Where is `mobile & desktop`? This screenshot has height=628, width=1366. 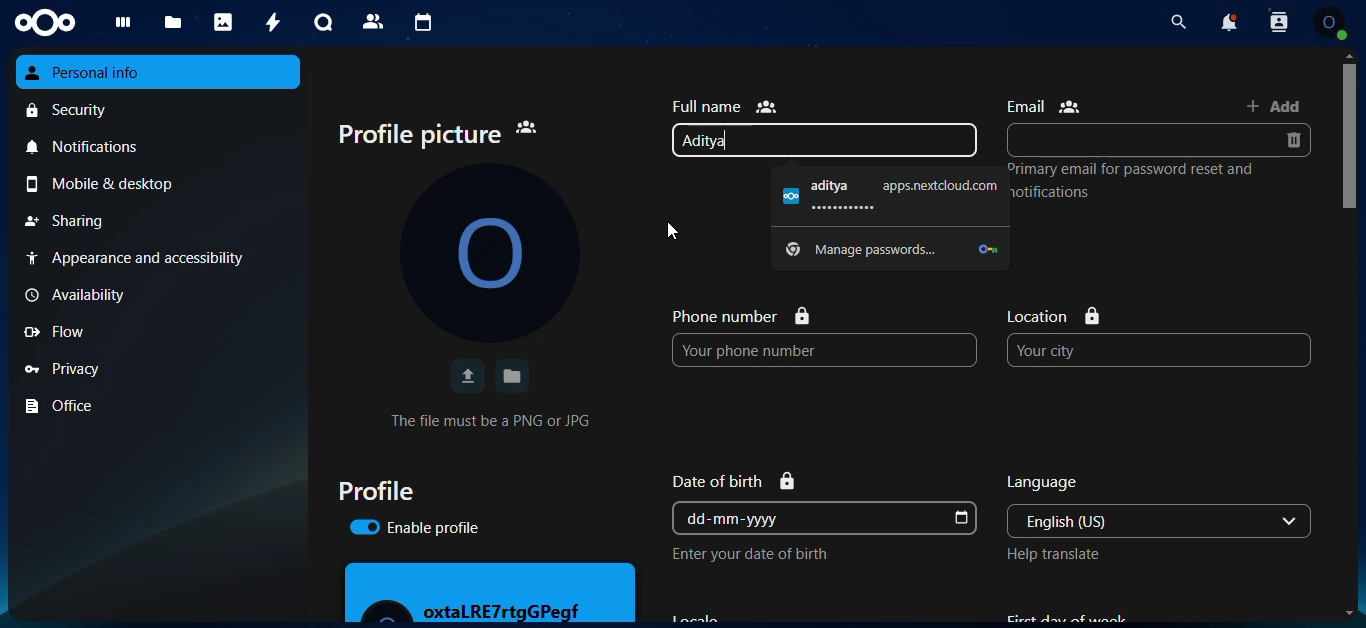 mobile & desktop is located at coordinates (161, 184).